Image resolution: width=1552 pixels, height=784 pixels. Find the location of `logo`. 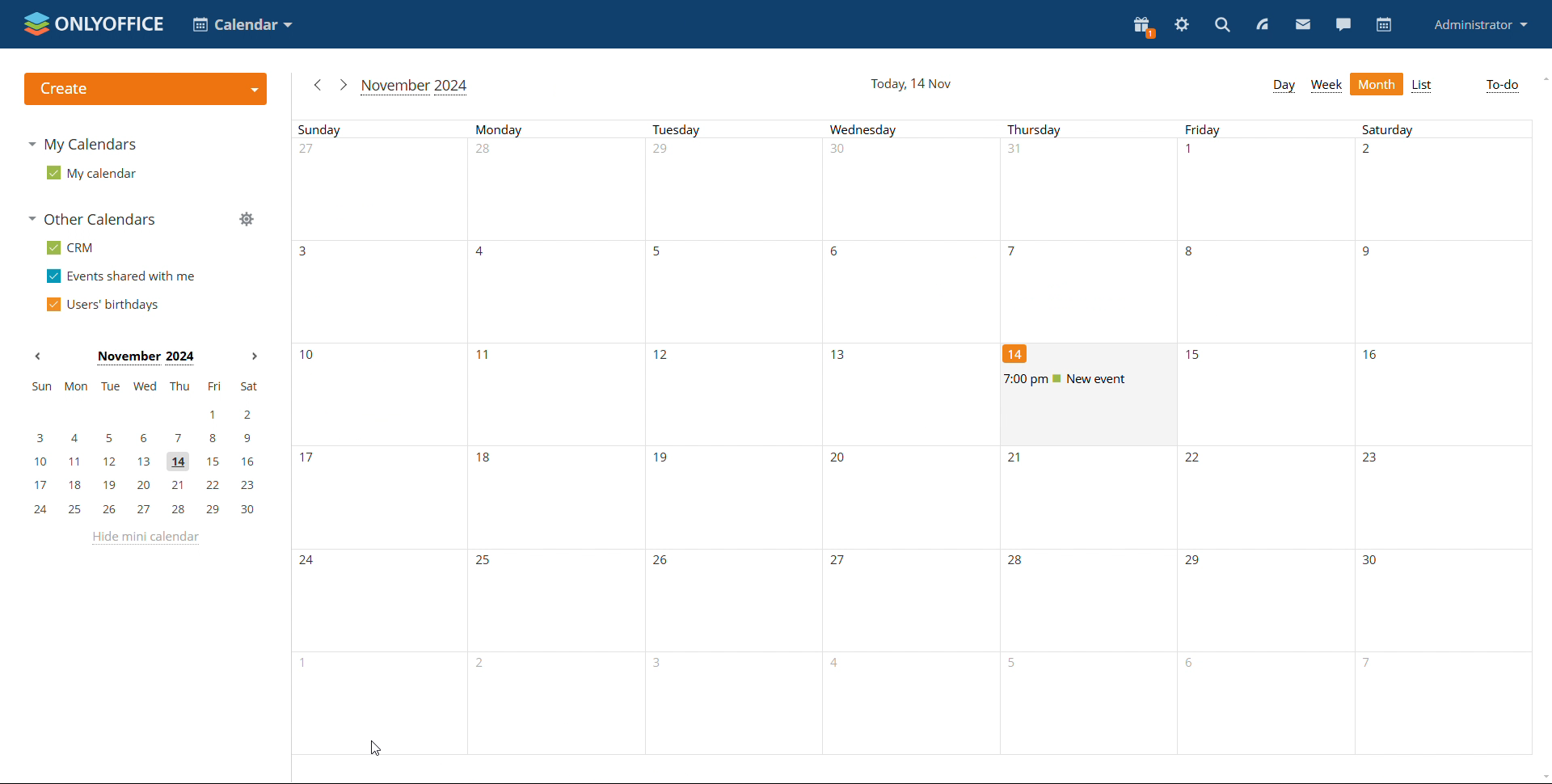

logo is located at coordinates (147, 89).